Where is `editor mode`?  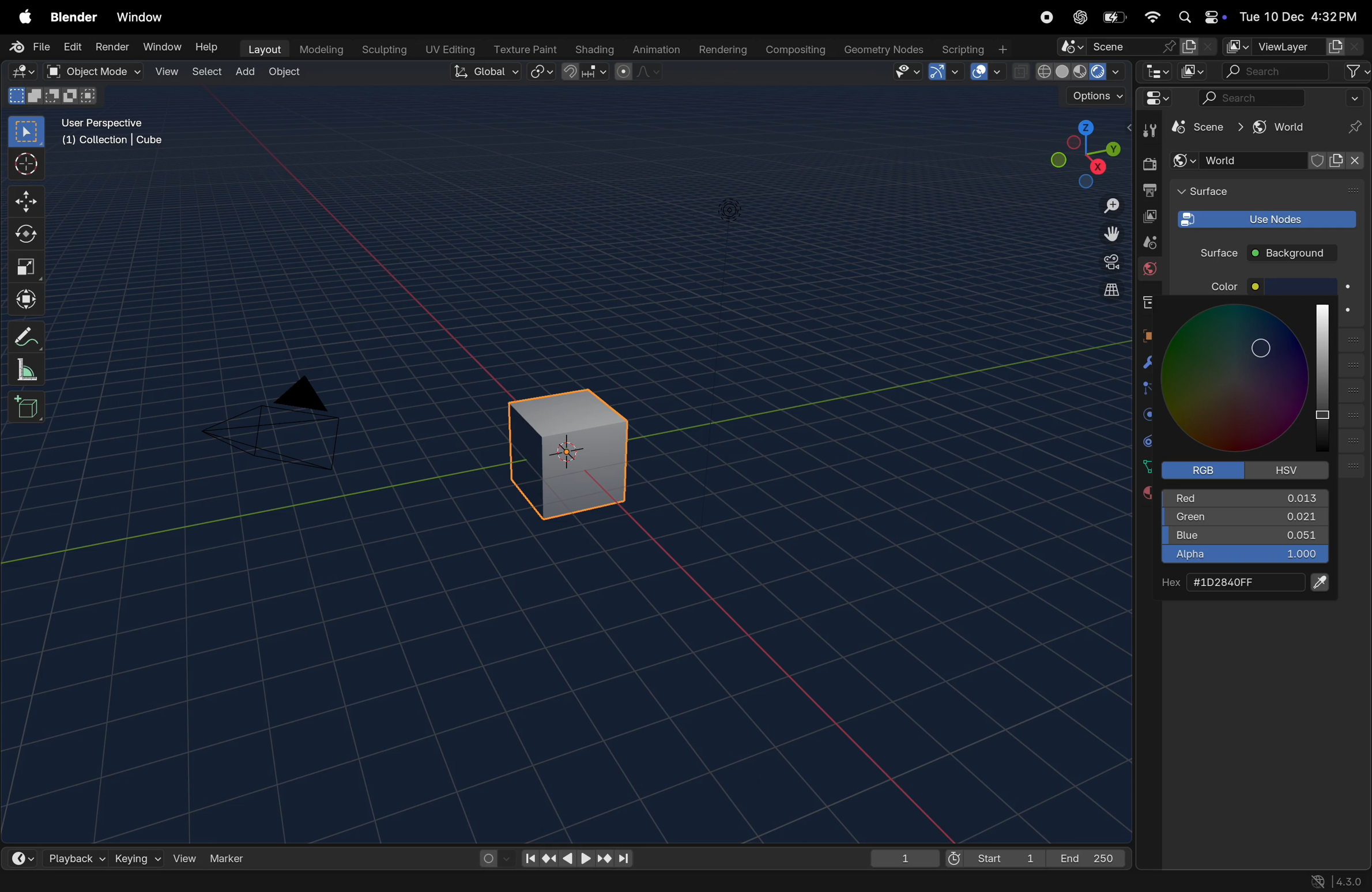 editor mode is located at coordinates (1154, 71).